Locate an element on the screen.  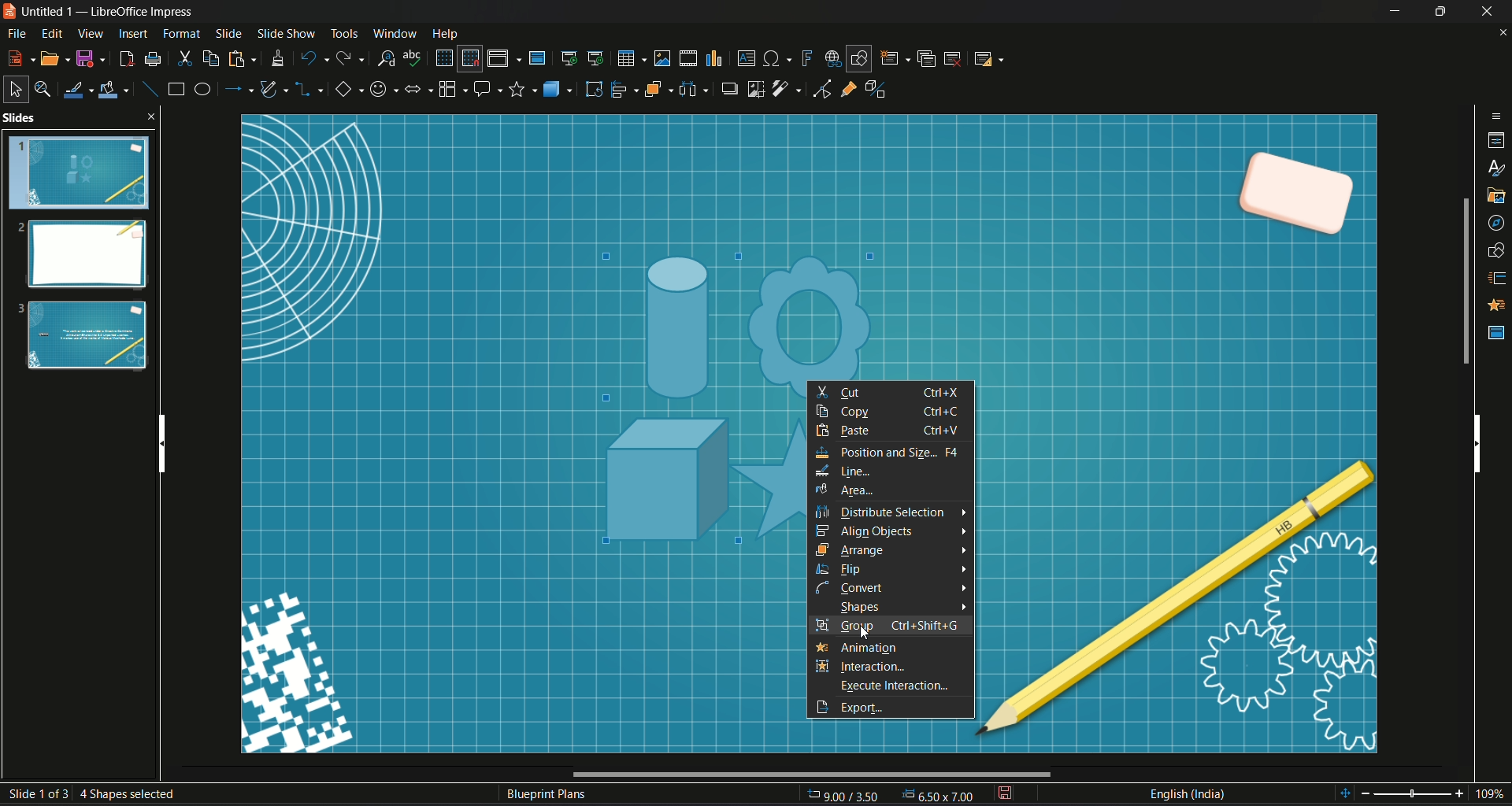
distribute selection is located at coordinates (882, 513).